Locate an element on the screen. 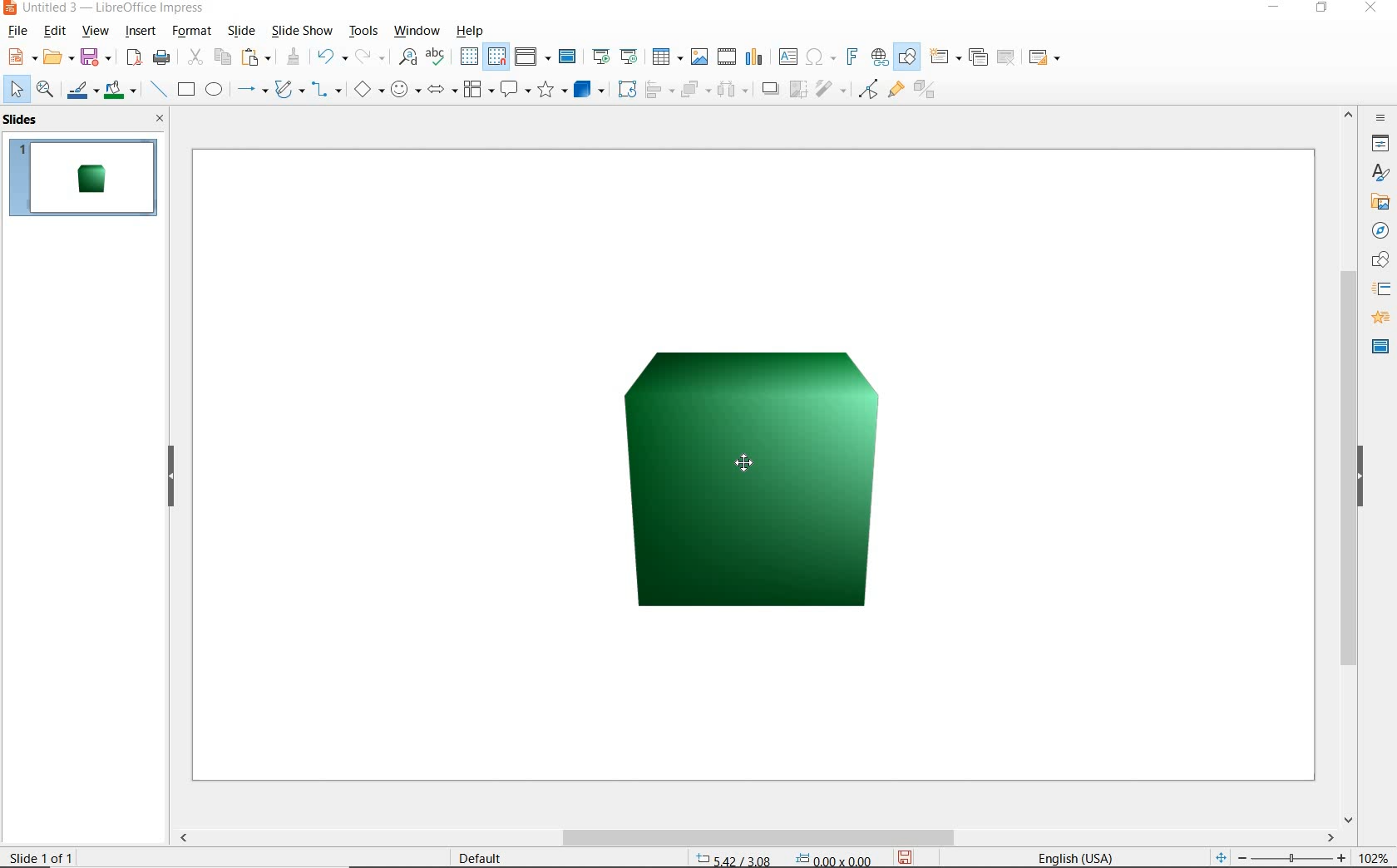 This screenshot has height=868, width=1397. start from first slide is located at coordinates (604, 57).